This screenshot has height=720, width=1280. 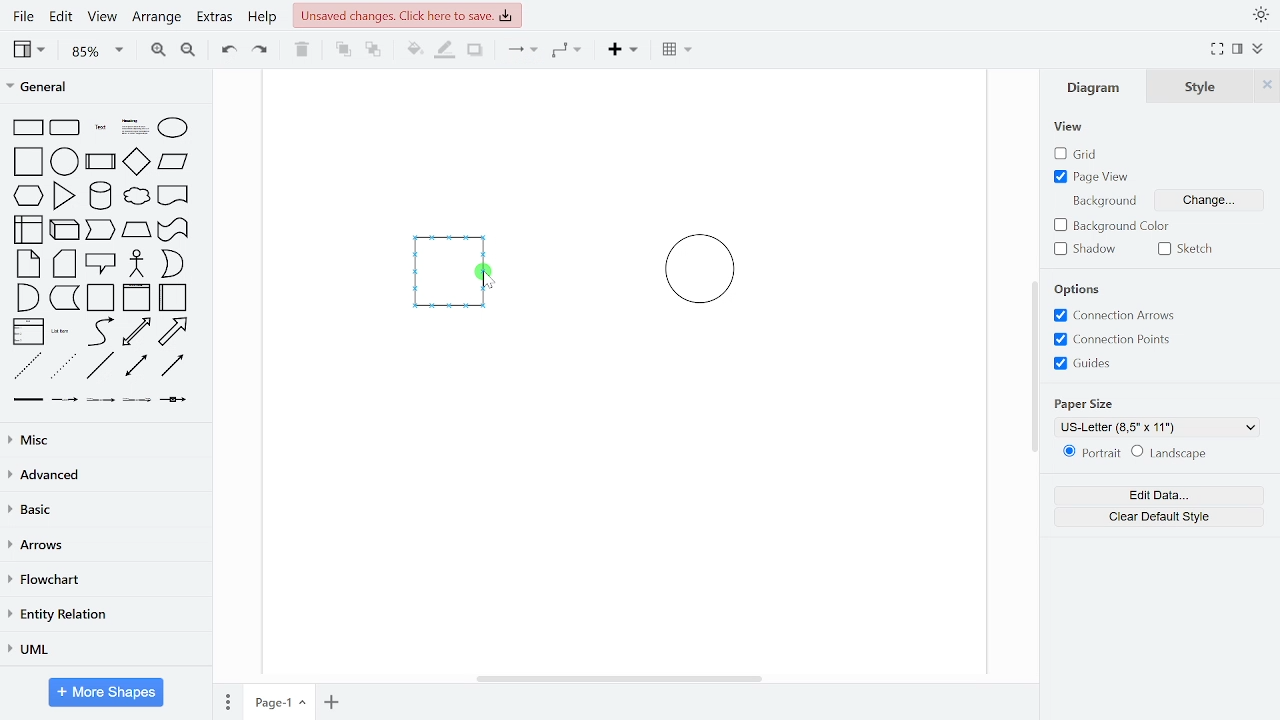 What do you see at coordinates (279, 701) in the screenshot?
I see `current page` at bounding box center [279, 701].